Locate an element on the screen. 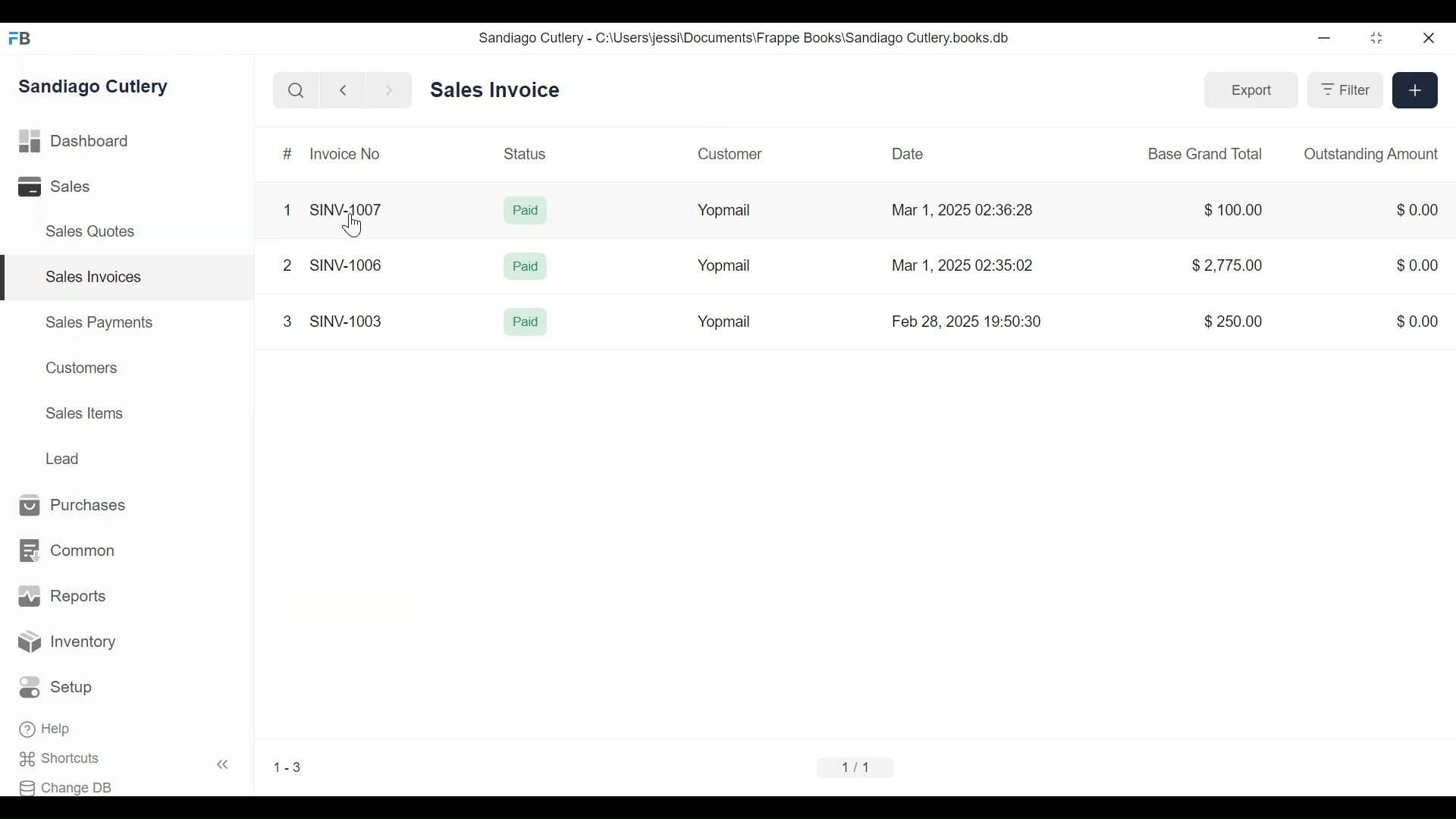 Image resolution: width=1456 pixels, height=819 pixels. Sales Items is located at coordinates (84, 413).